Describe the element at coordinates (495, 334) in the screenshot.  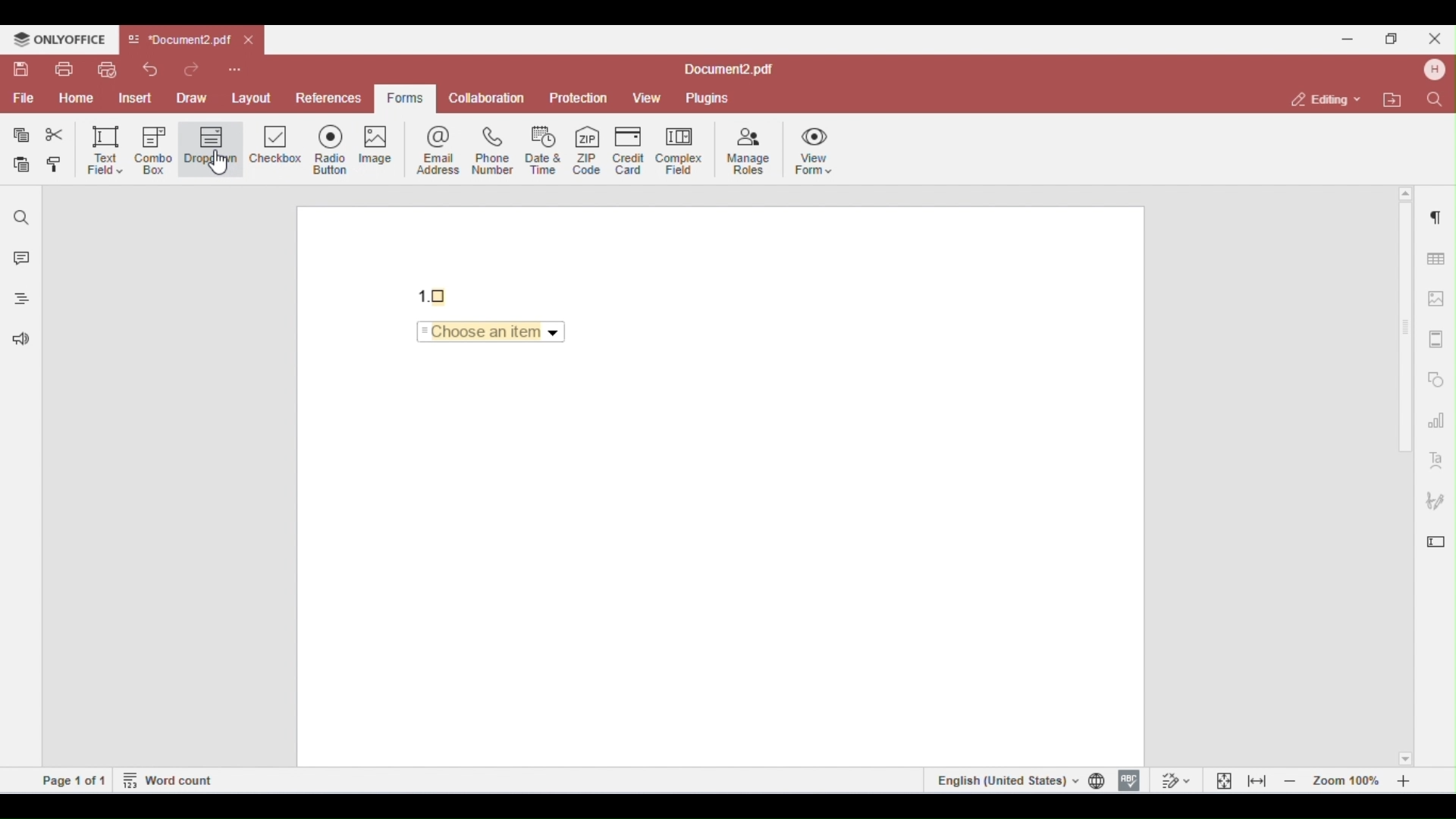
I see `drop down option appeared` at that location.